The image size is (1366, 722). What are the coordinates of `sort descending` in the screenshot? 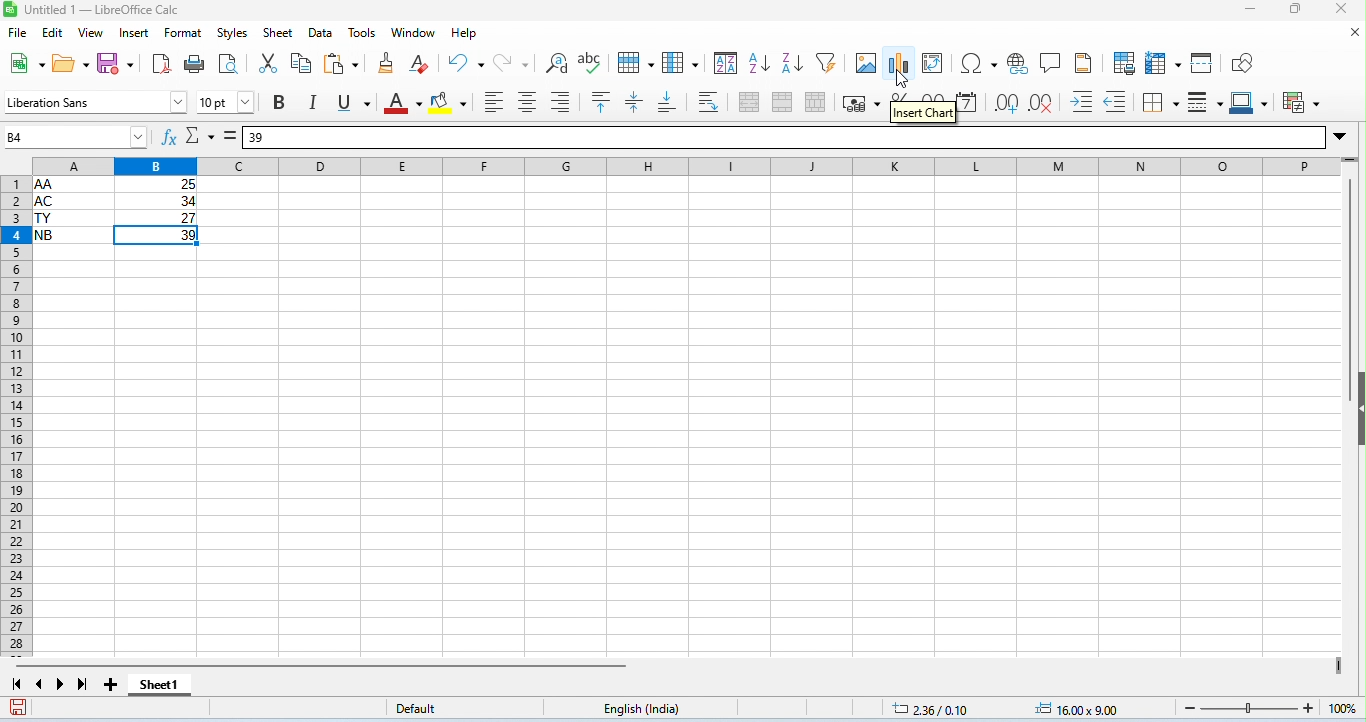 It's located at (794, 64).